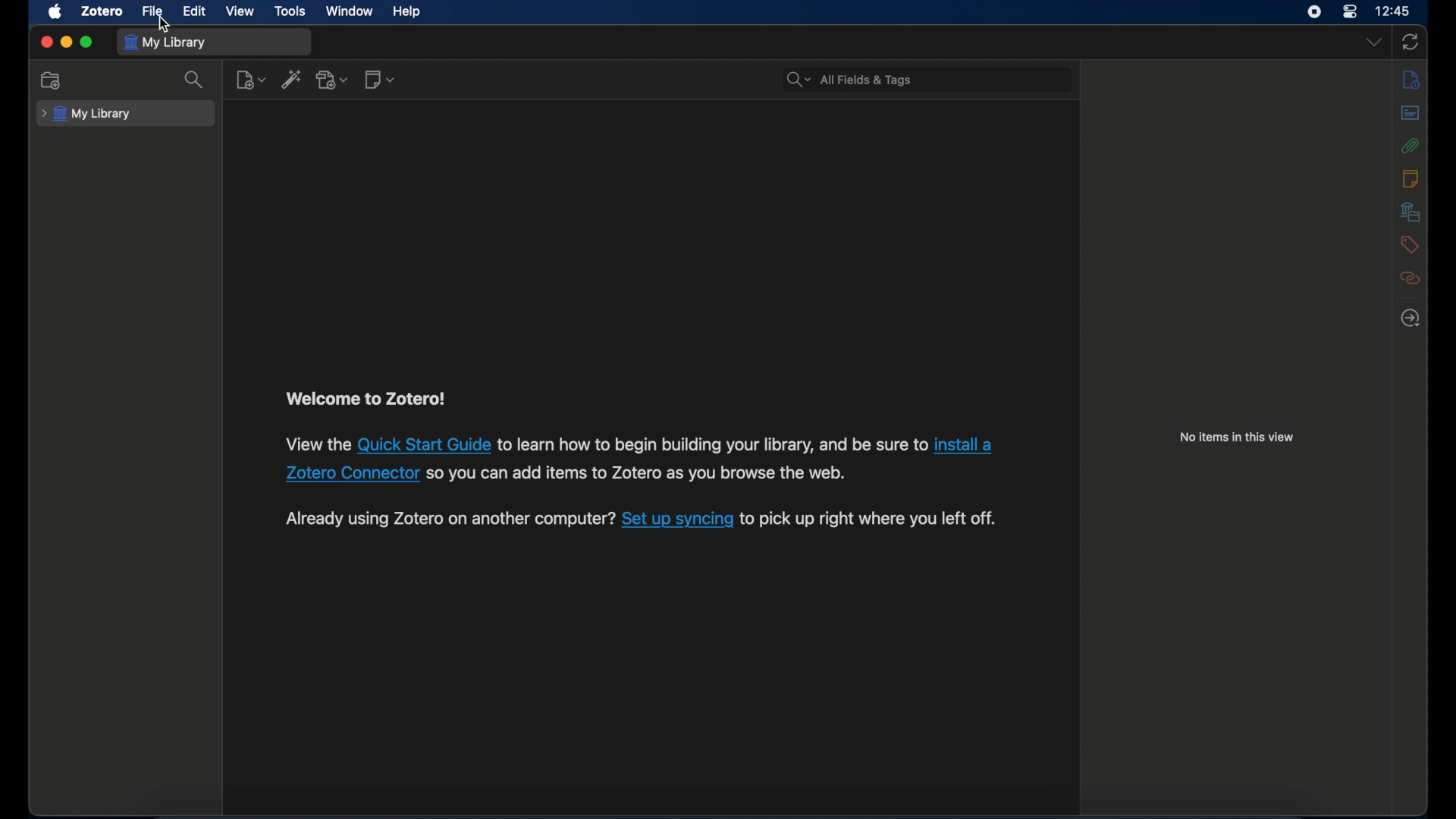 Image resolution: width=1456 pixels, height=819 pixels. Describe the element at coordinates (194, 80) in the screenshot. I see `search` at that location.